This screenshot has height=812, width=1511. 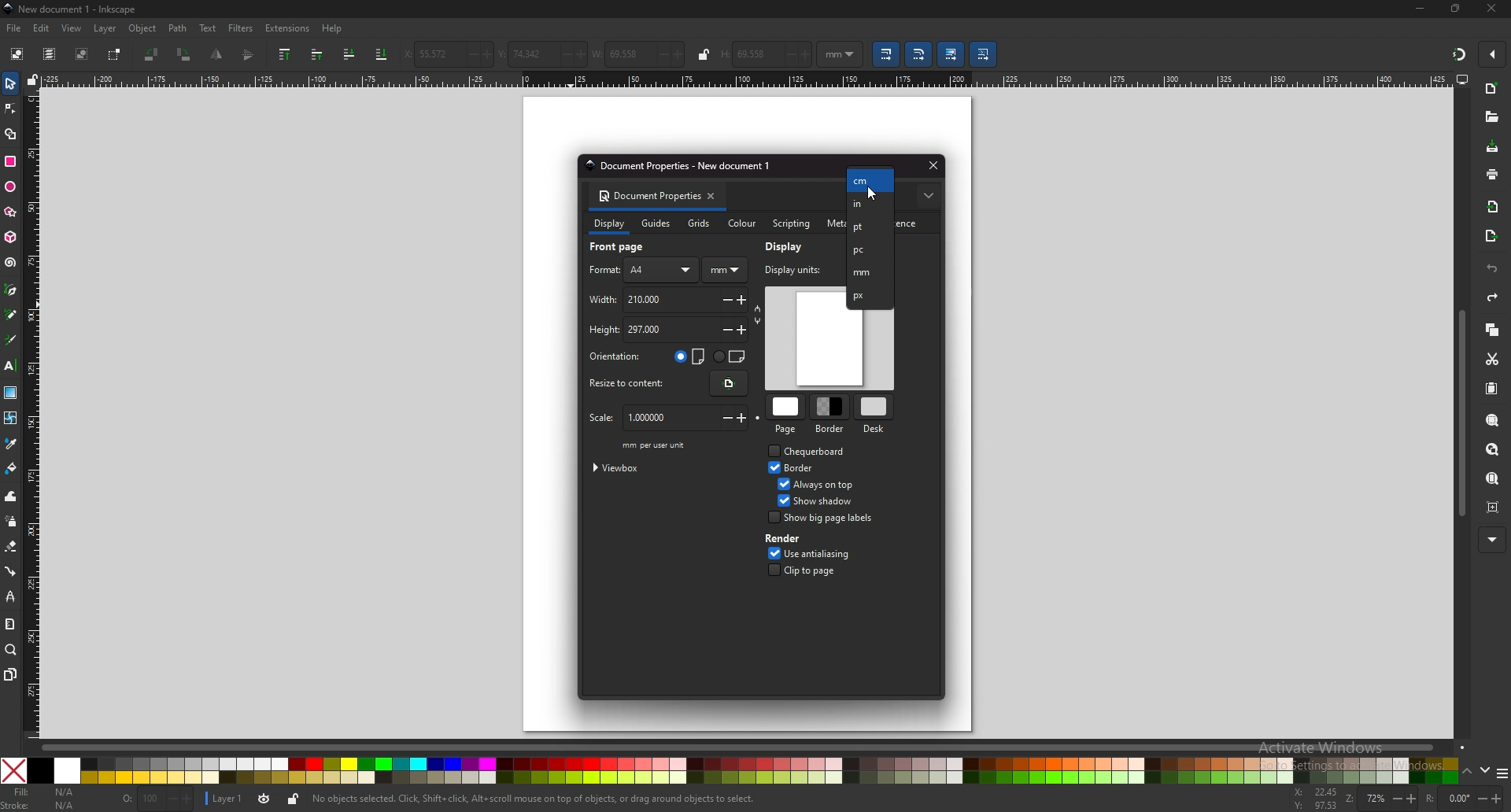 What do you see at coordinates (291, 800) in the screenshot?
I see `unlock` at bounding box center [291, 800].